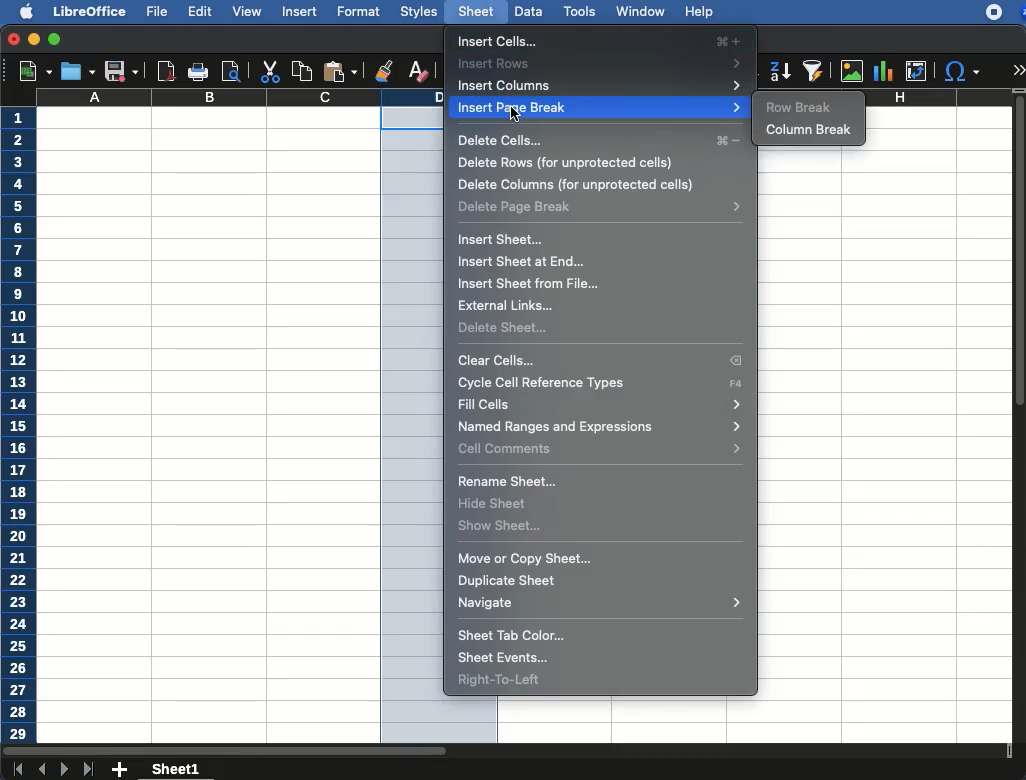 The height and width of the screenshot is (780, 1026). Describe the element at coordinates (120, 770) in the screenshot. I see `add` at that location.